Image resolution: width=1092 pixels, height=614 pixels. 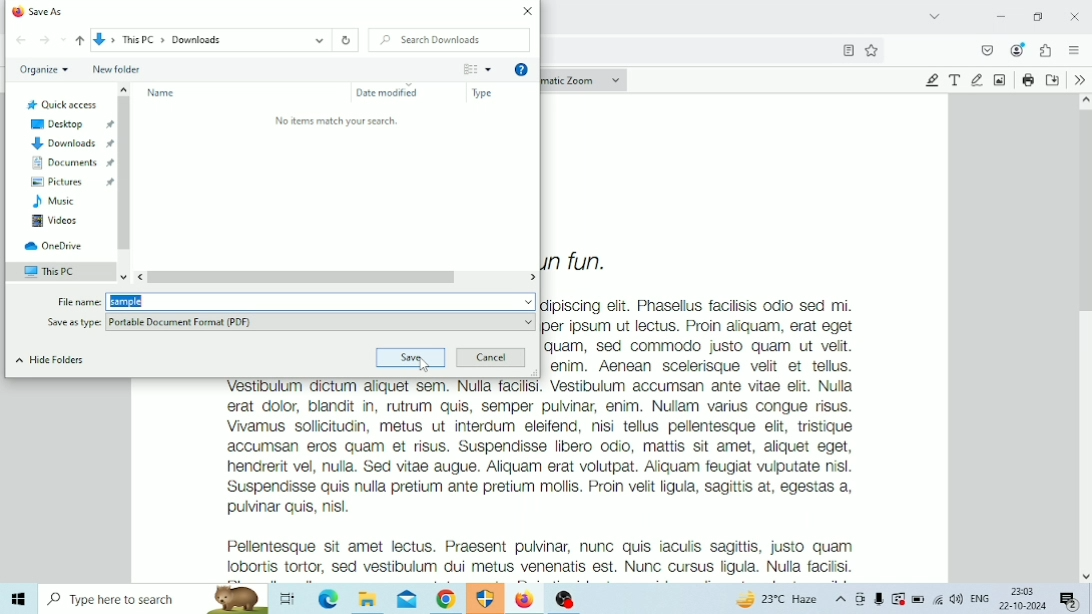 I want to click on File name Field, so click(x=321, y=301).